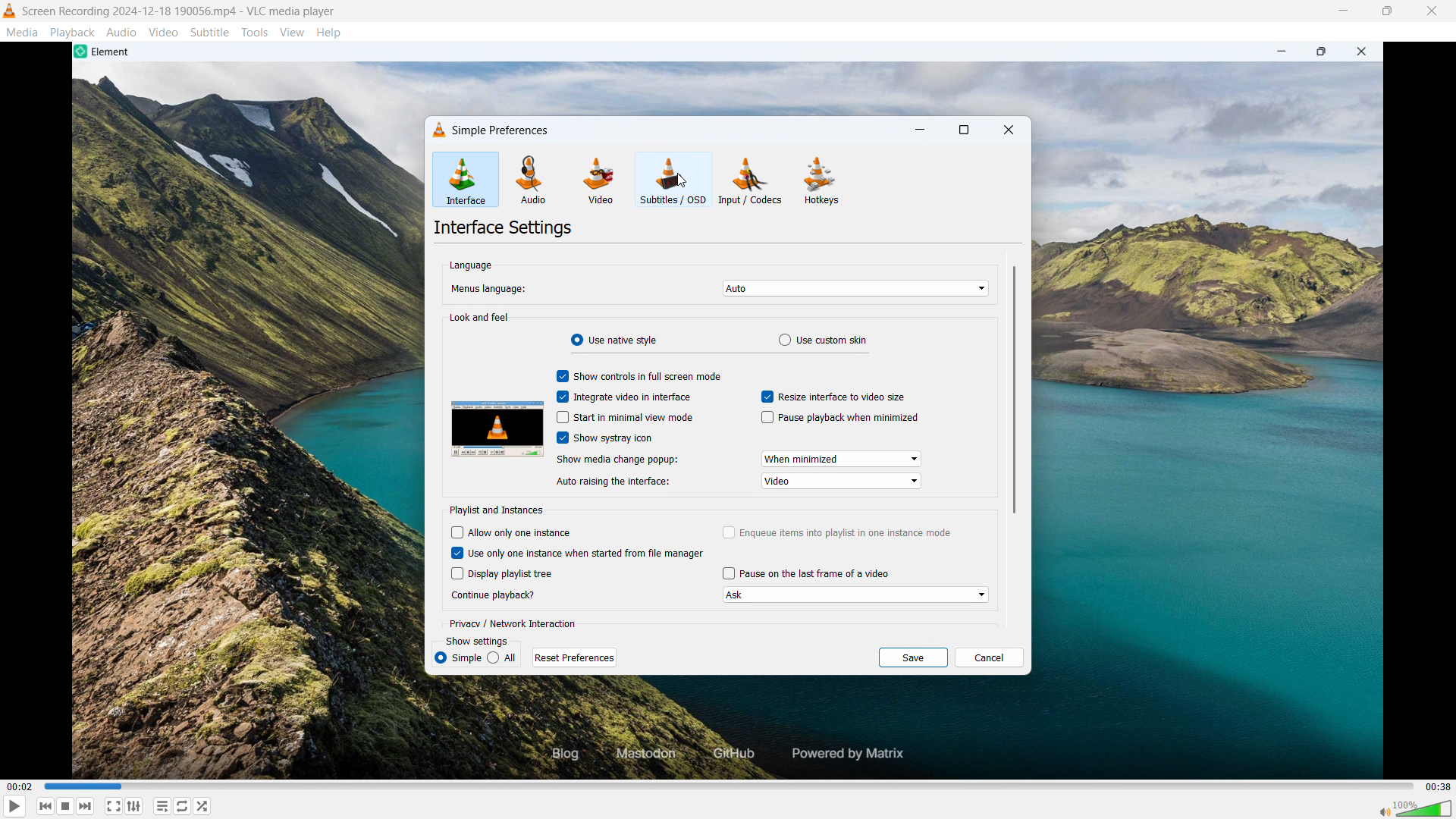 The width and height of the screenshot is (1456, 819). Describe the element at coordinates (66, 806) in the screenshot. I see `stop playback` at that location.